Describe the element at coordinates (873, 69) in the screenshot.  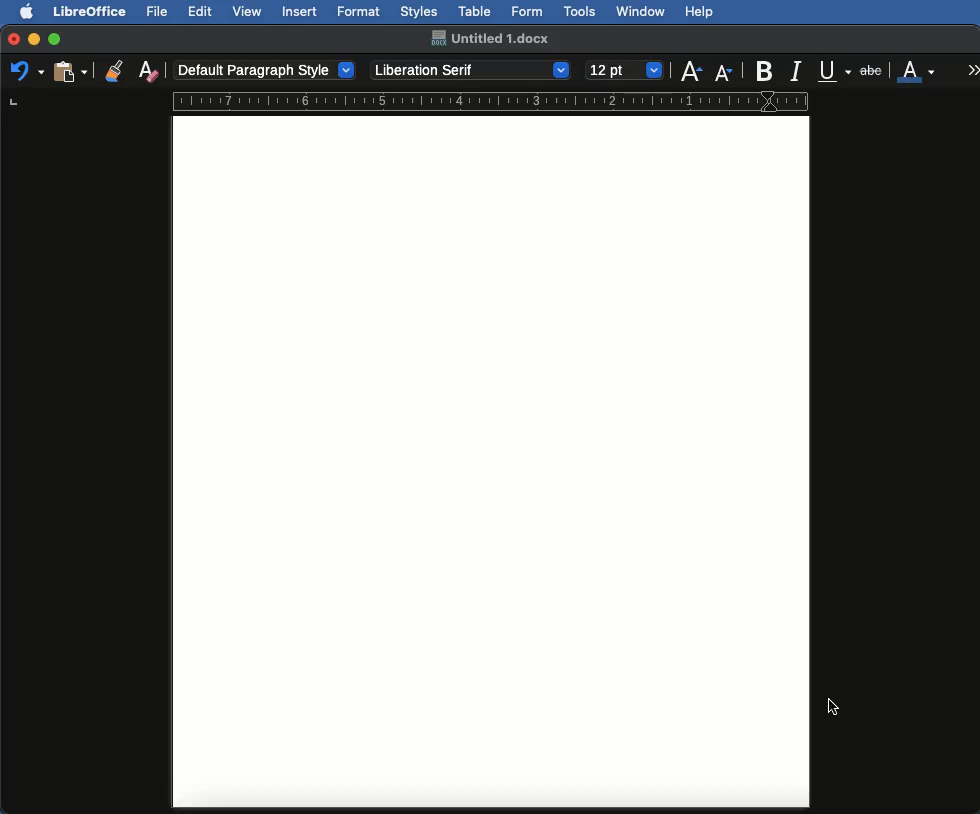
I see `Strikethrough ` at that location.